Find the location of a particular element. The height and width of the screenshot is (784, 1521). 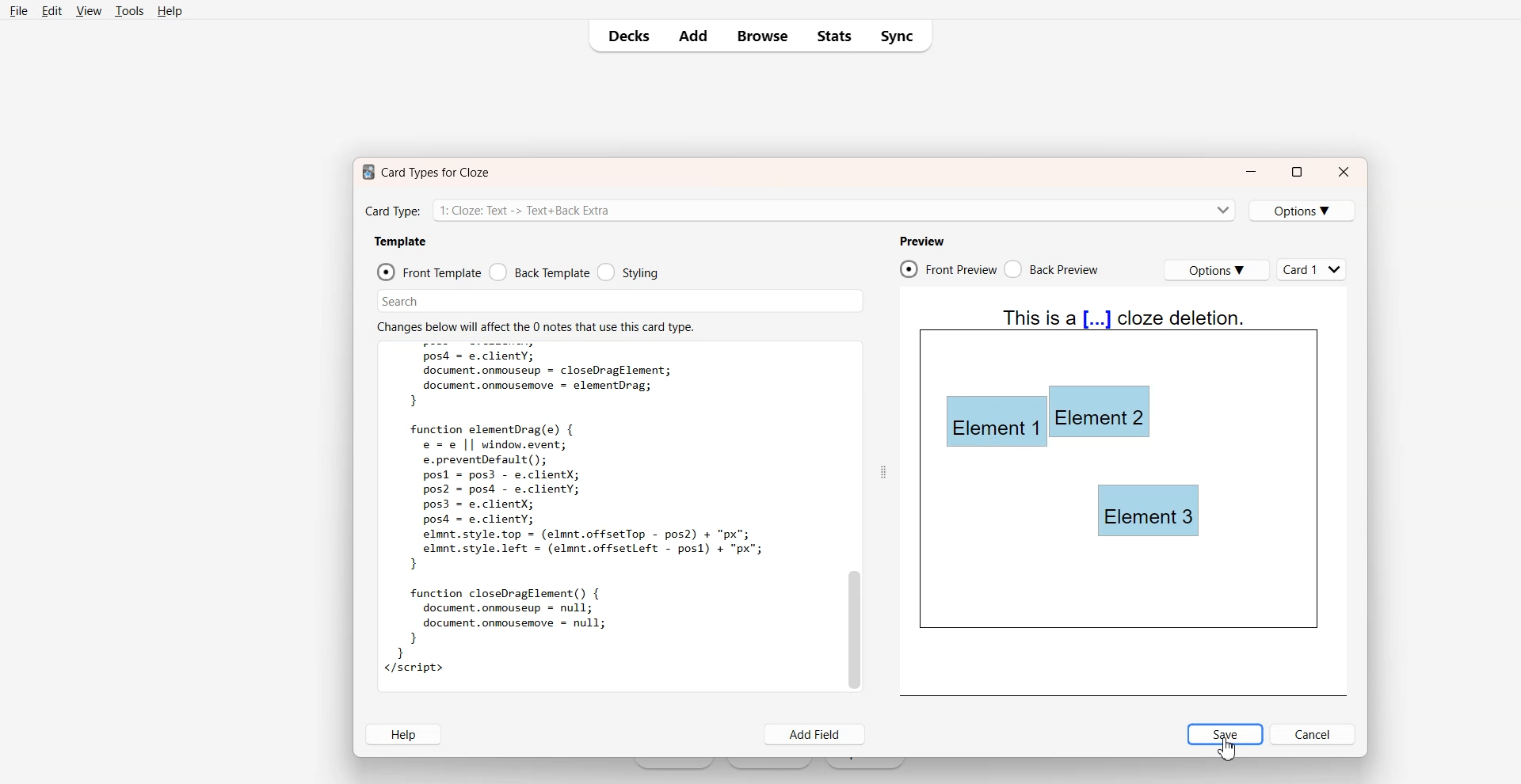

Vertical Scroll Bar  is located at coordinates (853, 516).